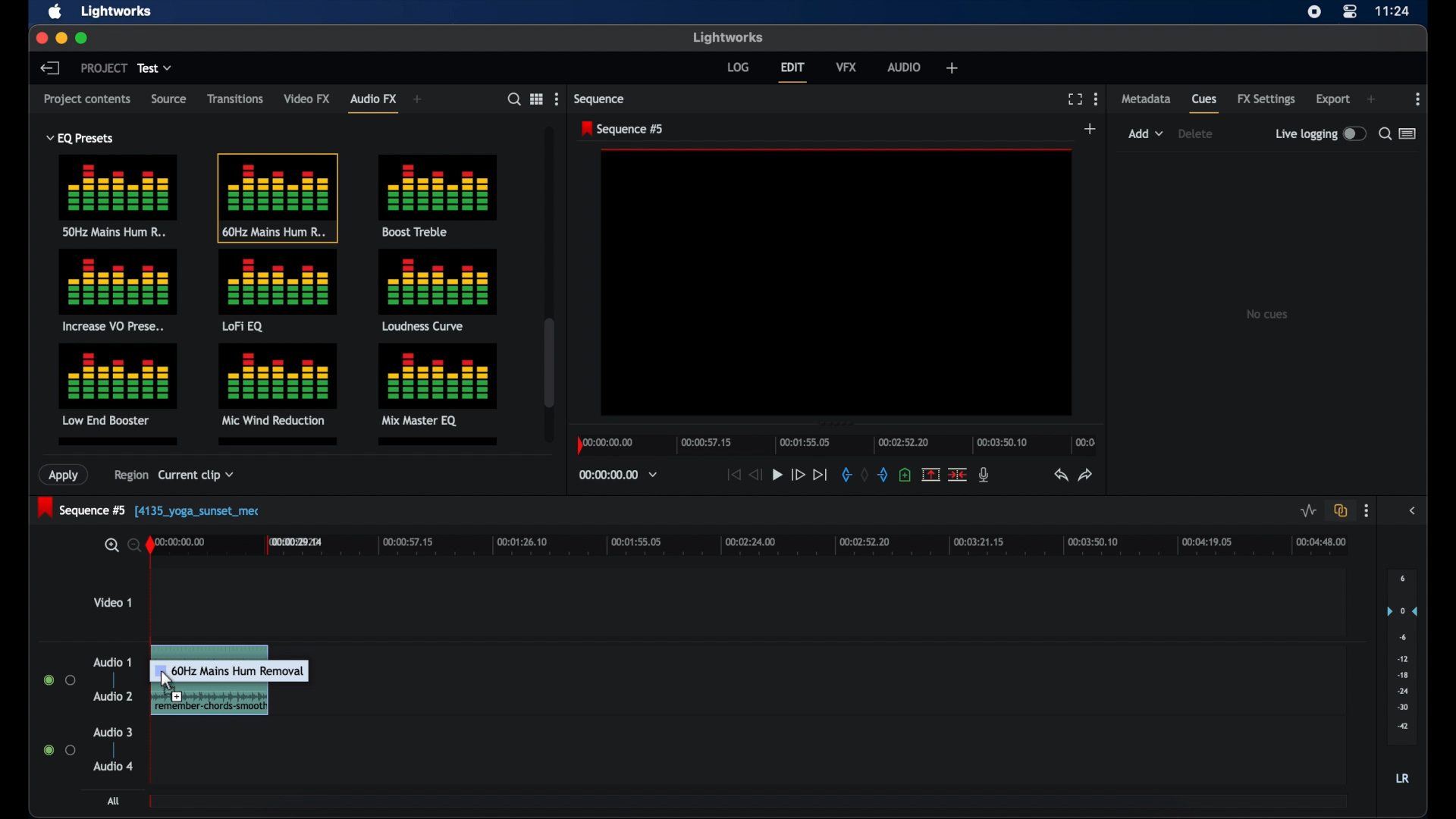 The image size is (1456, 819). I want to click on no cues, so click(1266, 314).